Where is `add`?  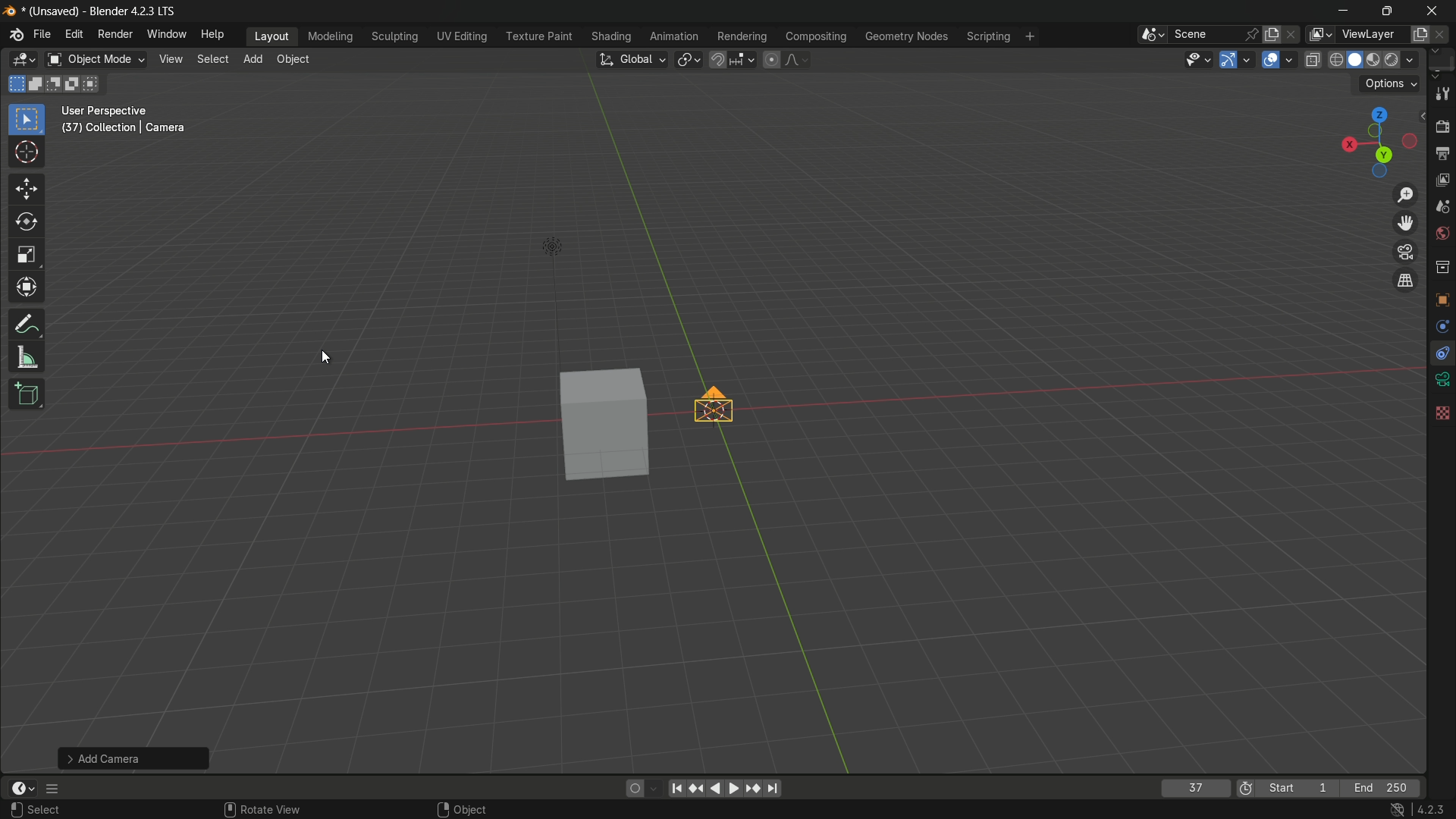
add is located at coordinates (252, 60).